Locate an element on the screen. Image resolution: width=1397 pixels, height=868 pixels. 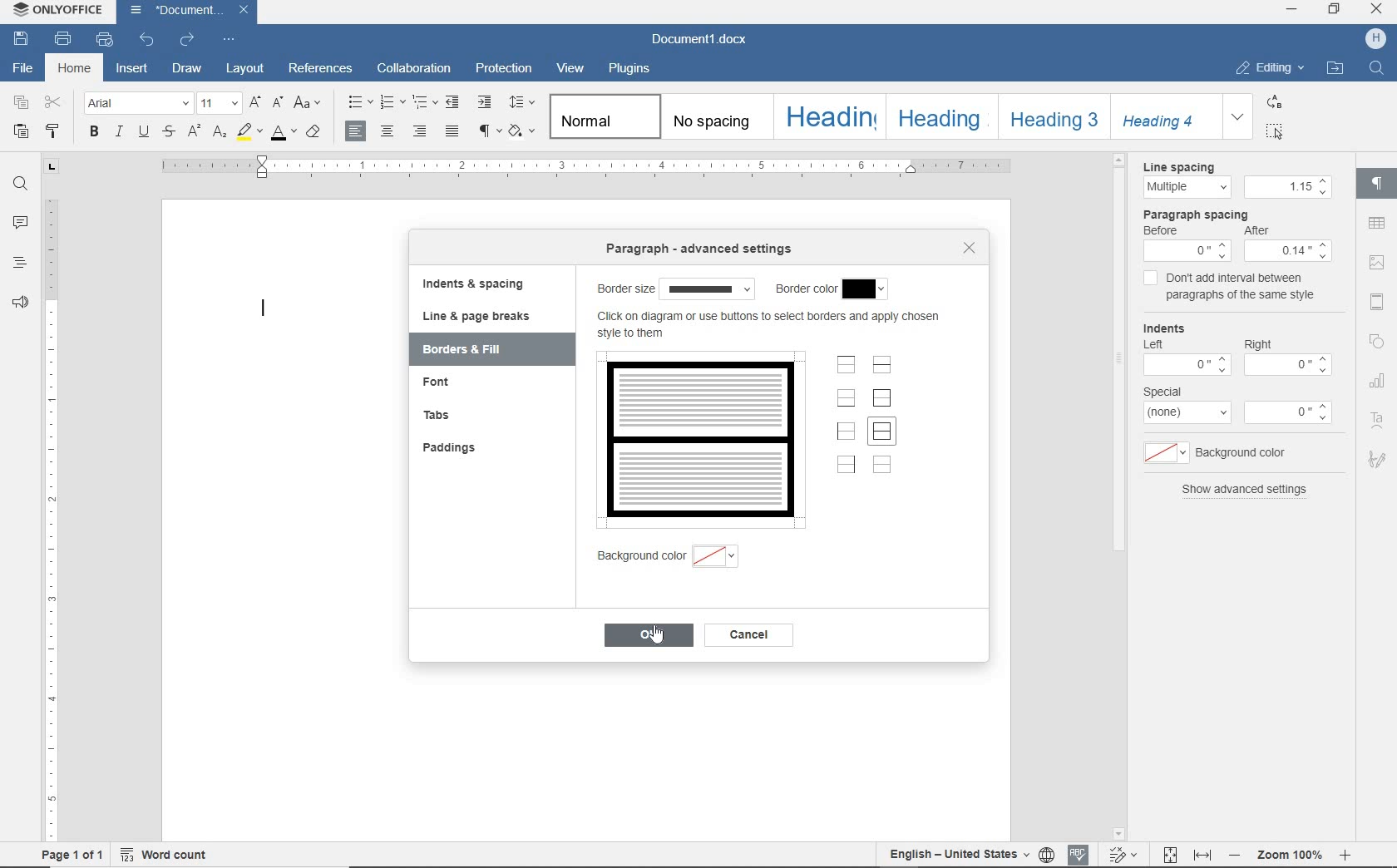
chart is located at coordinates (1377, 380).